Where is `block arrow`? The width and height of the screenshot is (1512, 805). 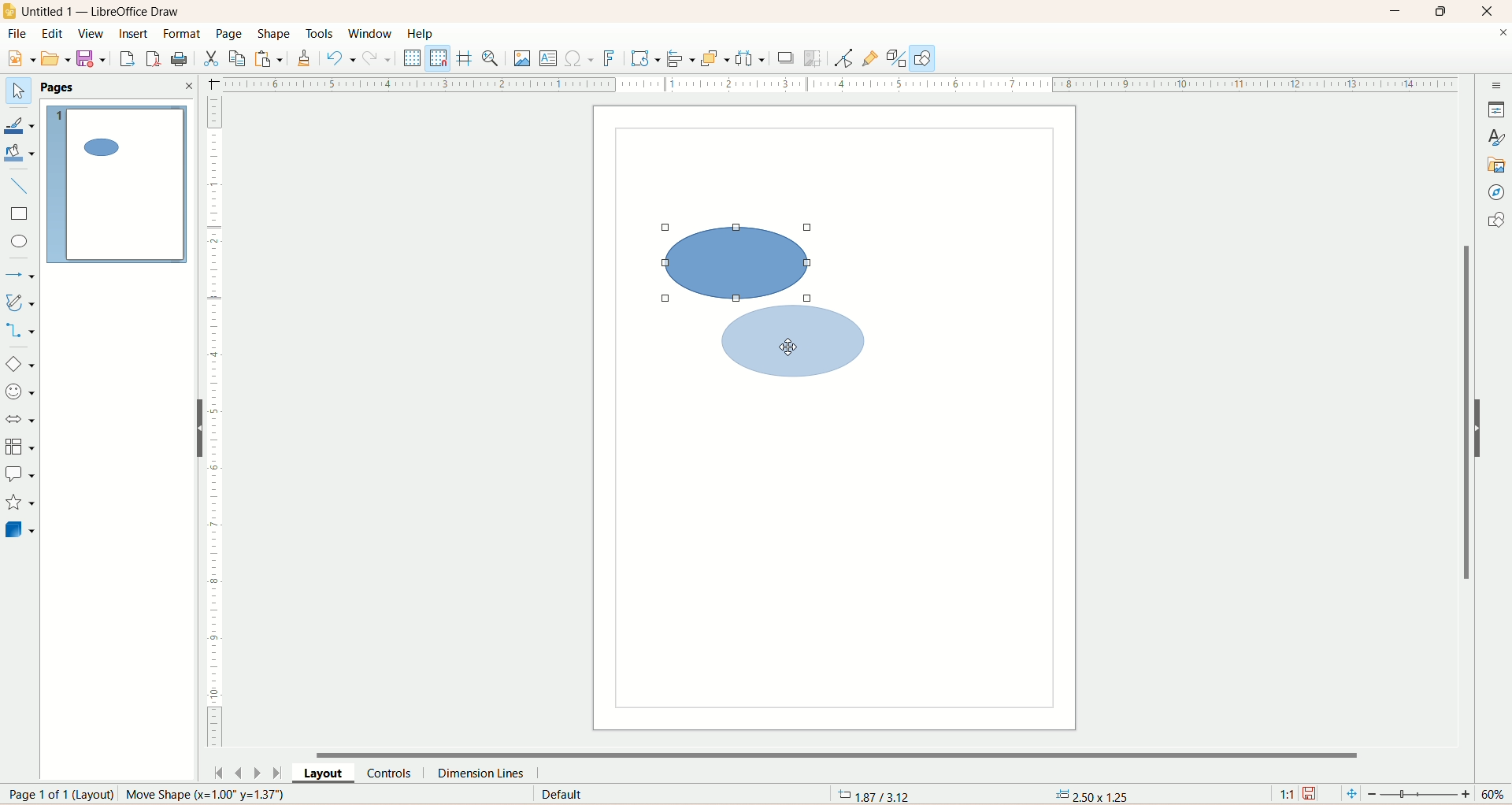
block arrow is located at coordinates (19, 421).